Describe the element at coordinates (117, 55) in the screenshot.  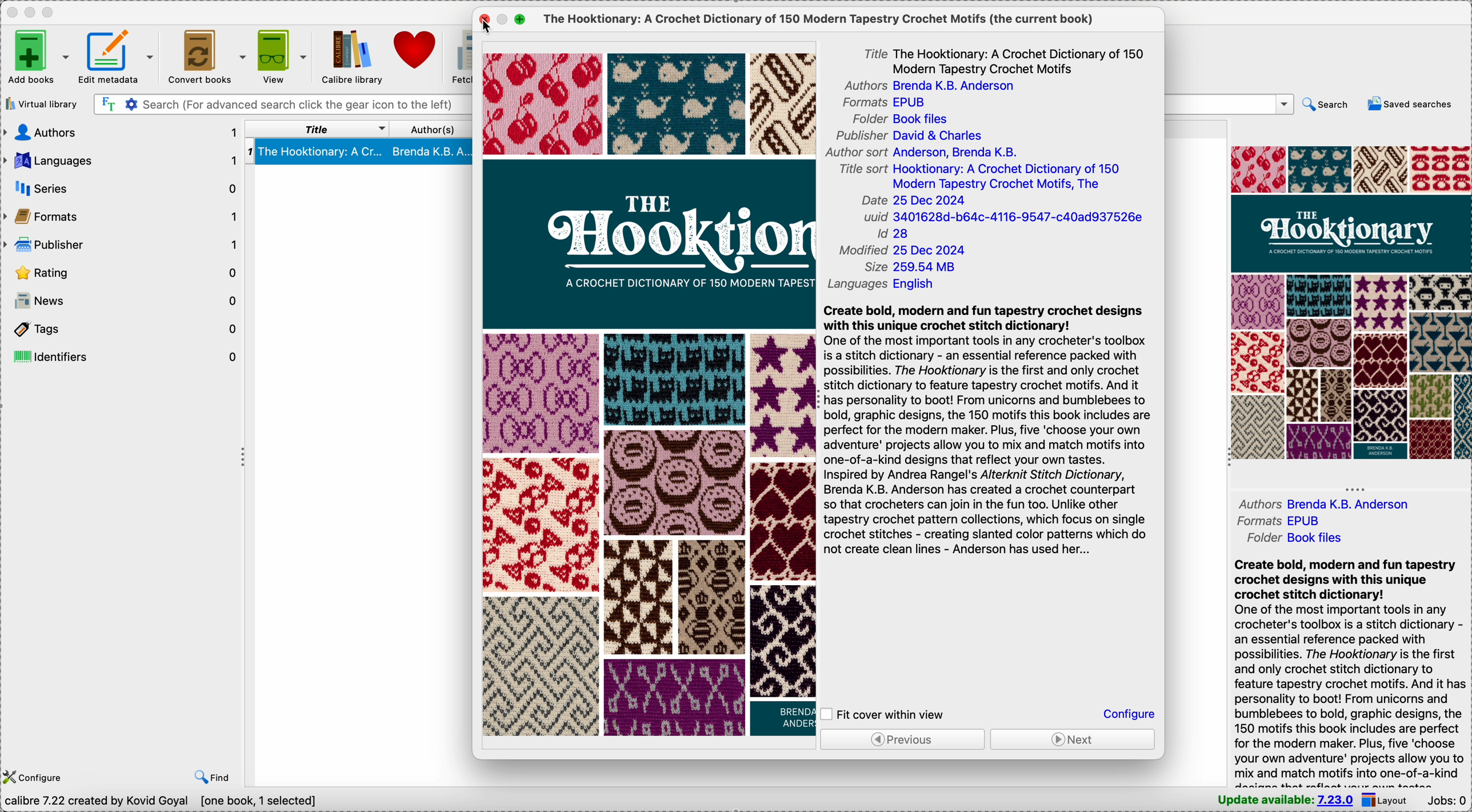
I see `edit metadata` at that location.